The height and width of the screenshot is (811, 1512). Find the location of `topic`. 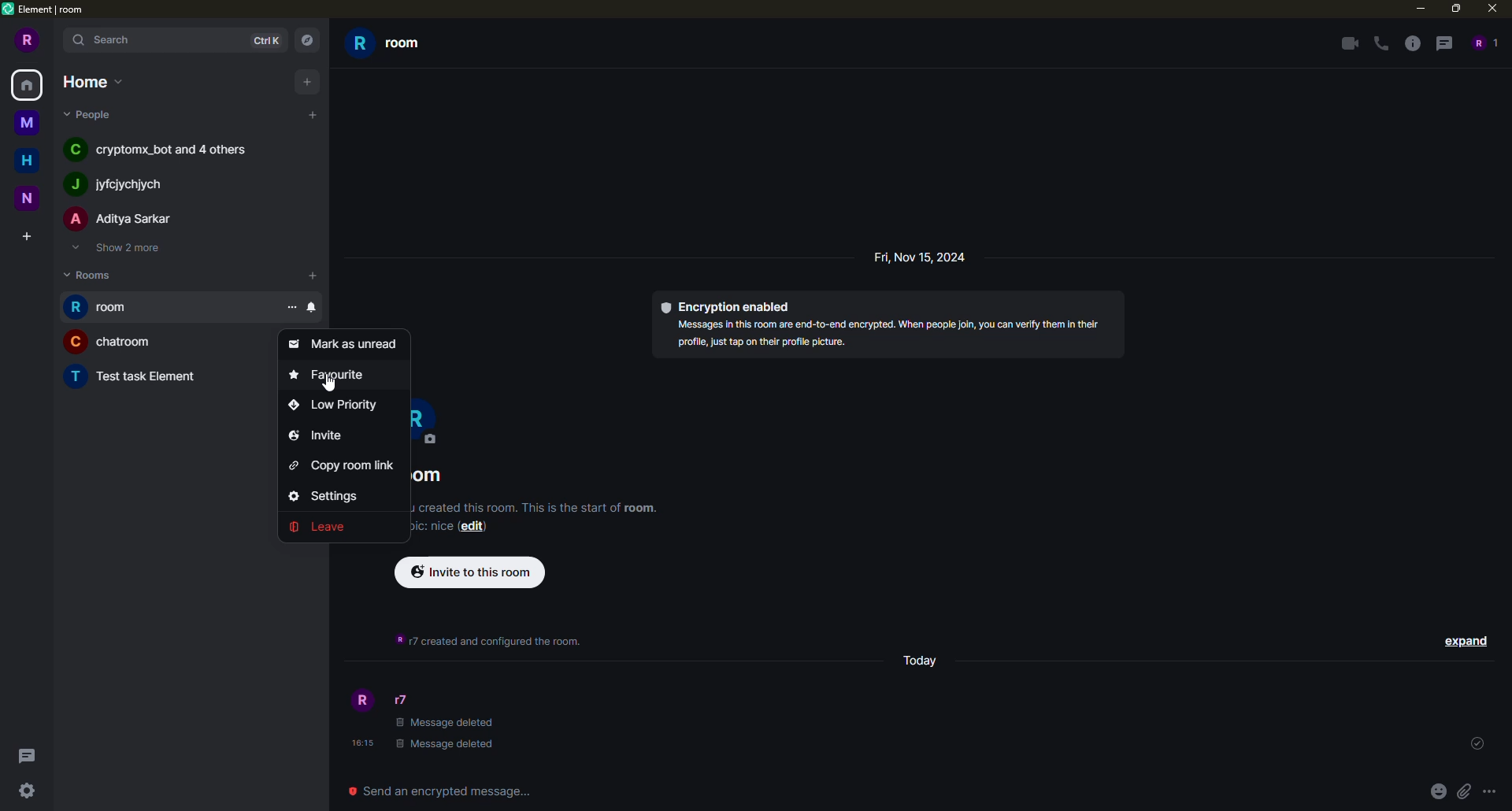

topic is located at coordinates (436, 528).